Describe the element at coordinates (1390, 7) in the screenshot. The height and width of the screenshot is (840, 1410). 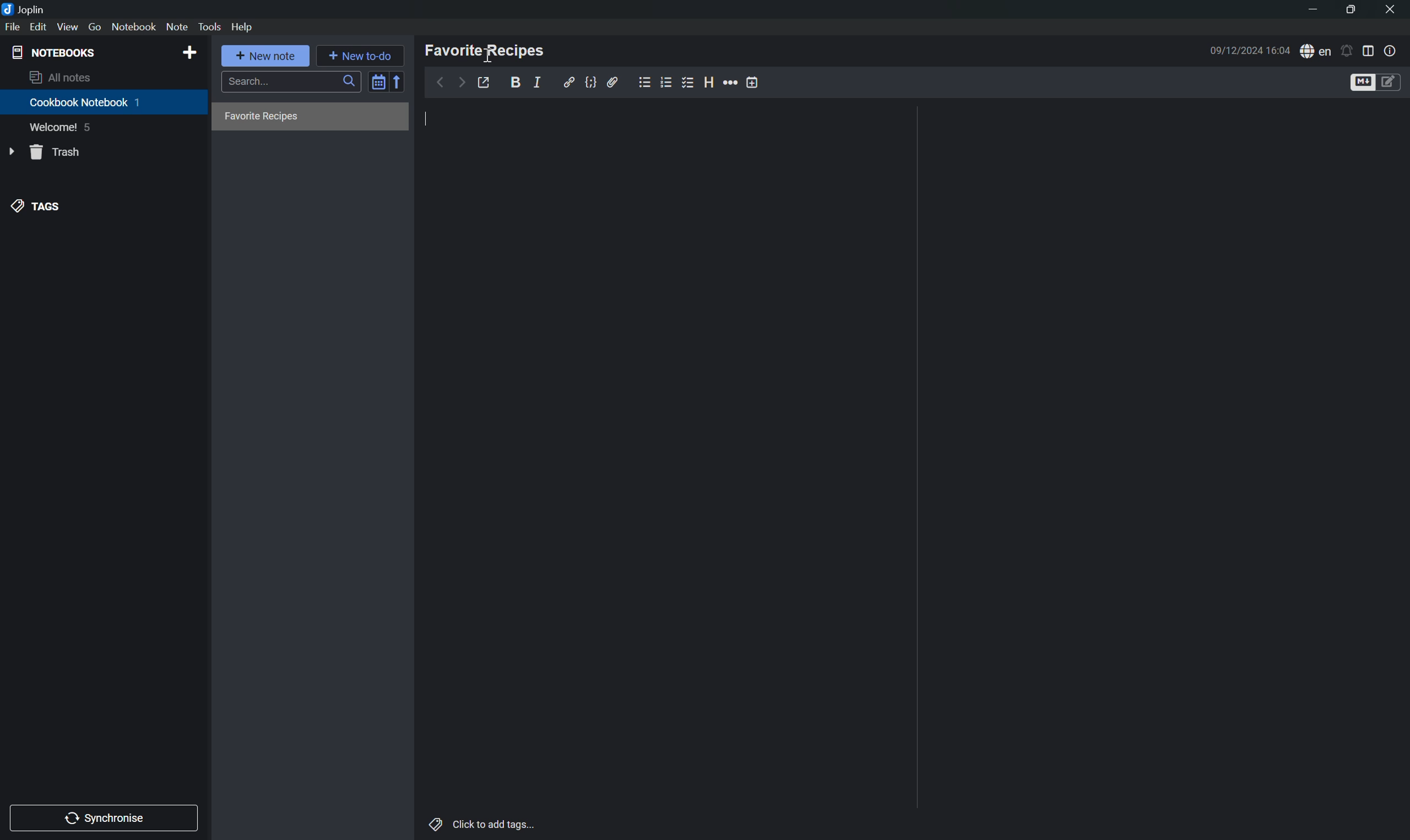
I see `close` at that location.